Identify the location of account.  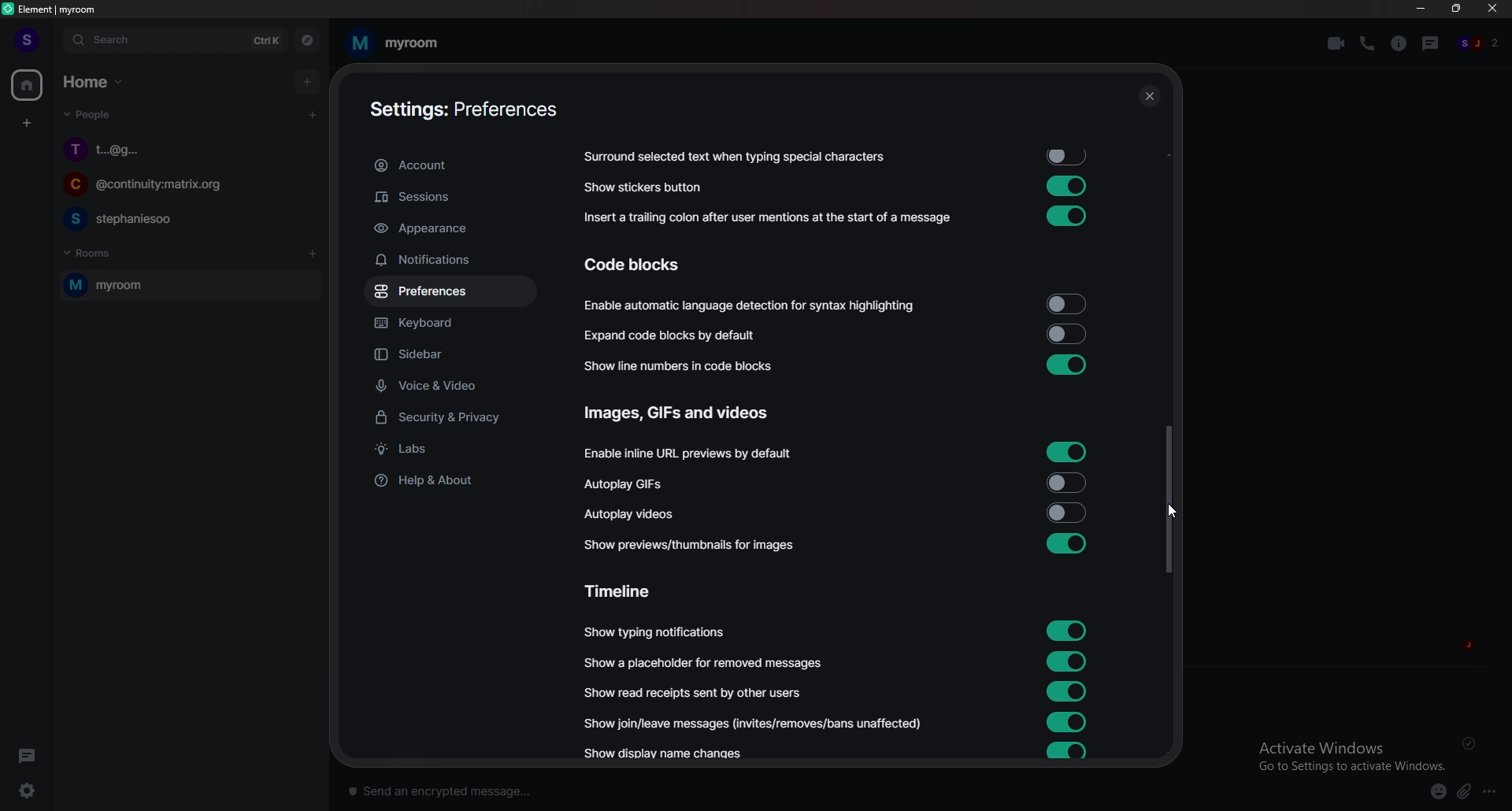
(449, 166).